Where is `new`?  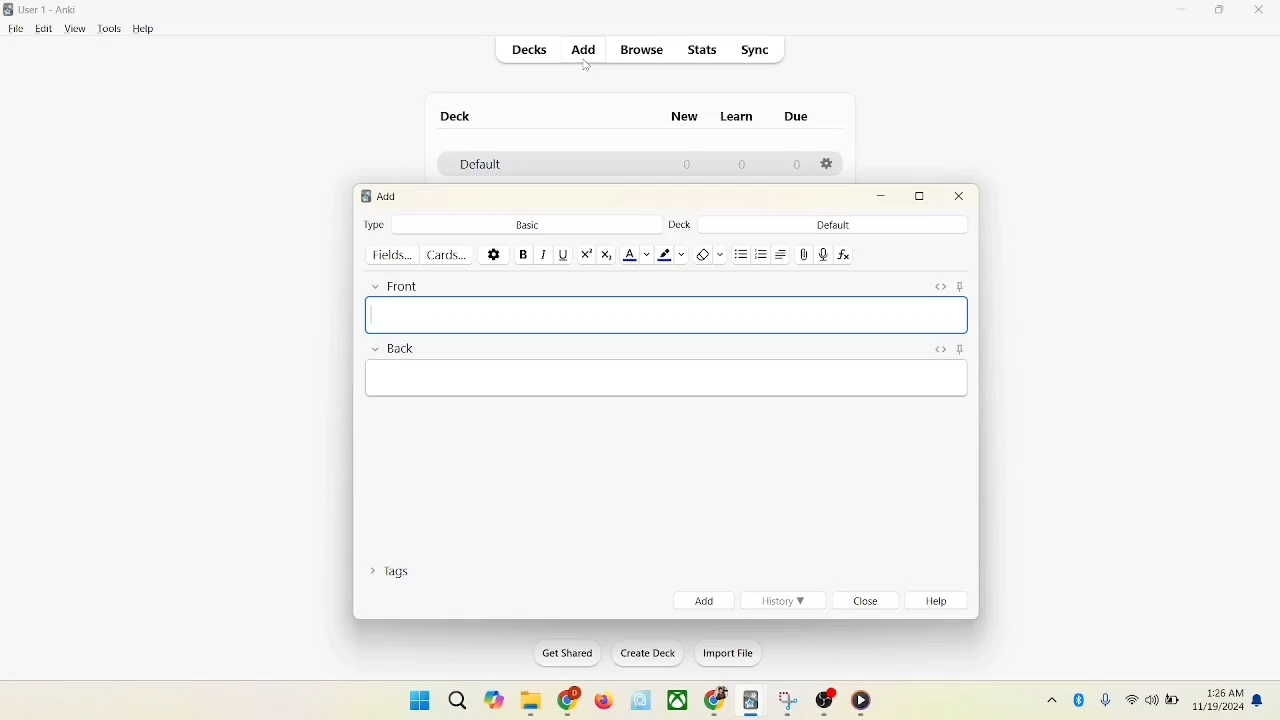
new is located at coordinates (685, 119).